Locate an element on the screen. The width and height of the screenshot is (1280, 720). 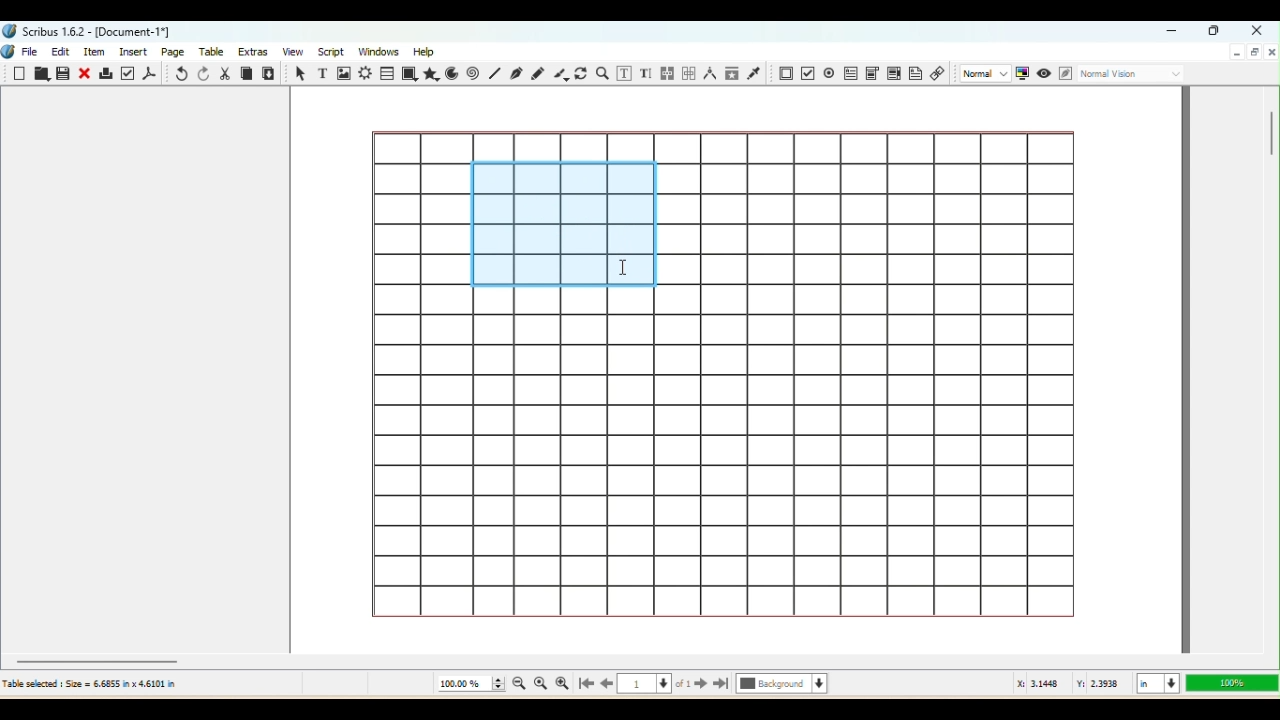
Open is located at coordinates (41, 75).